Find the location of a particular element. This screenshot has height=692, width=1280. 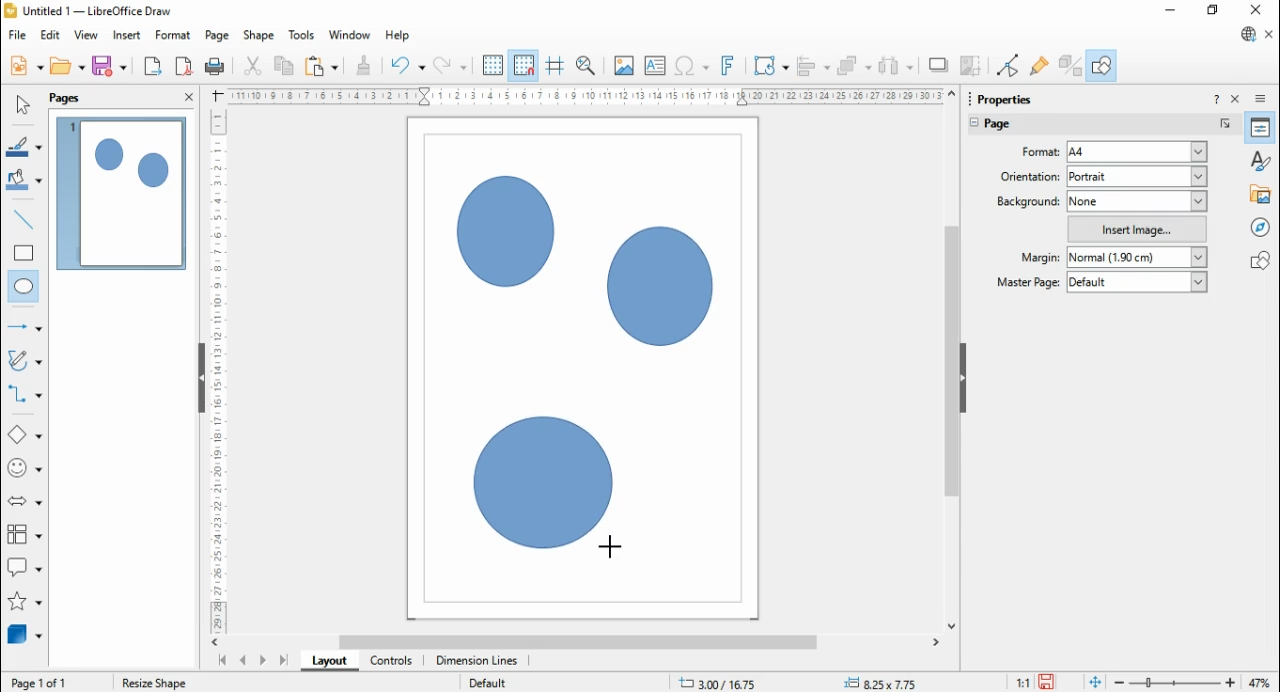

last page is located at coordinates (283, 660).